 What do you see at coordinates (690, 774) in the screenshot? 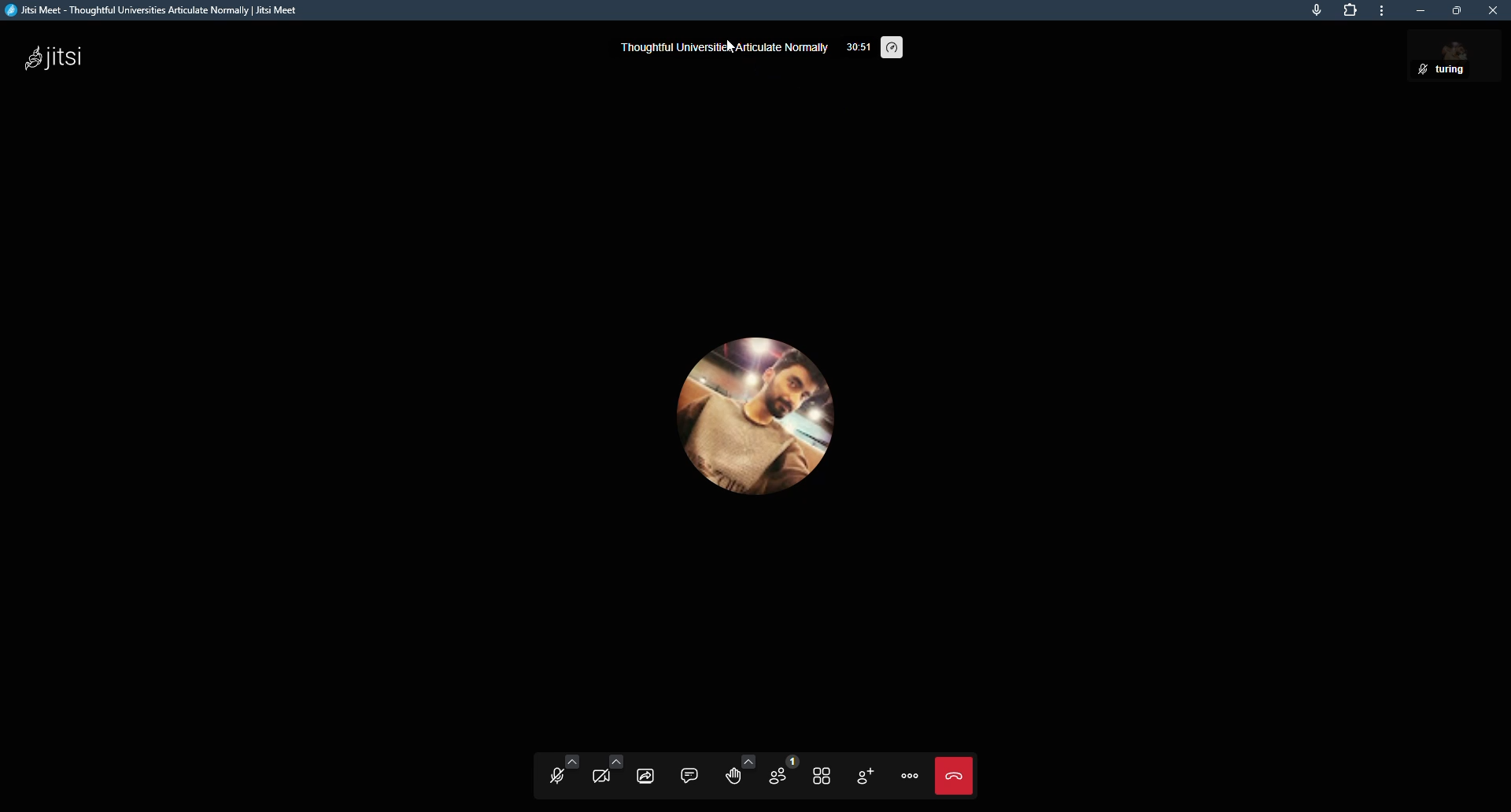
I see `open chat` at bounding box center [690, 774].